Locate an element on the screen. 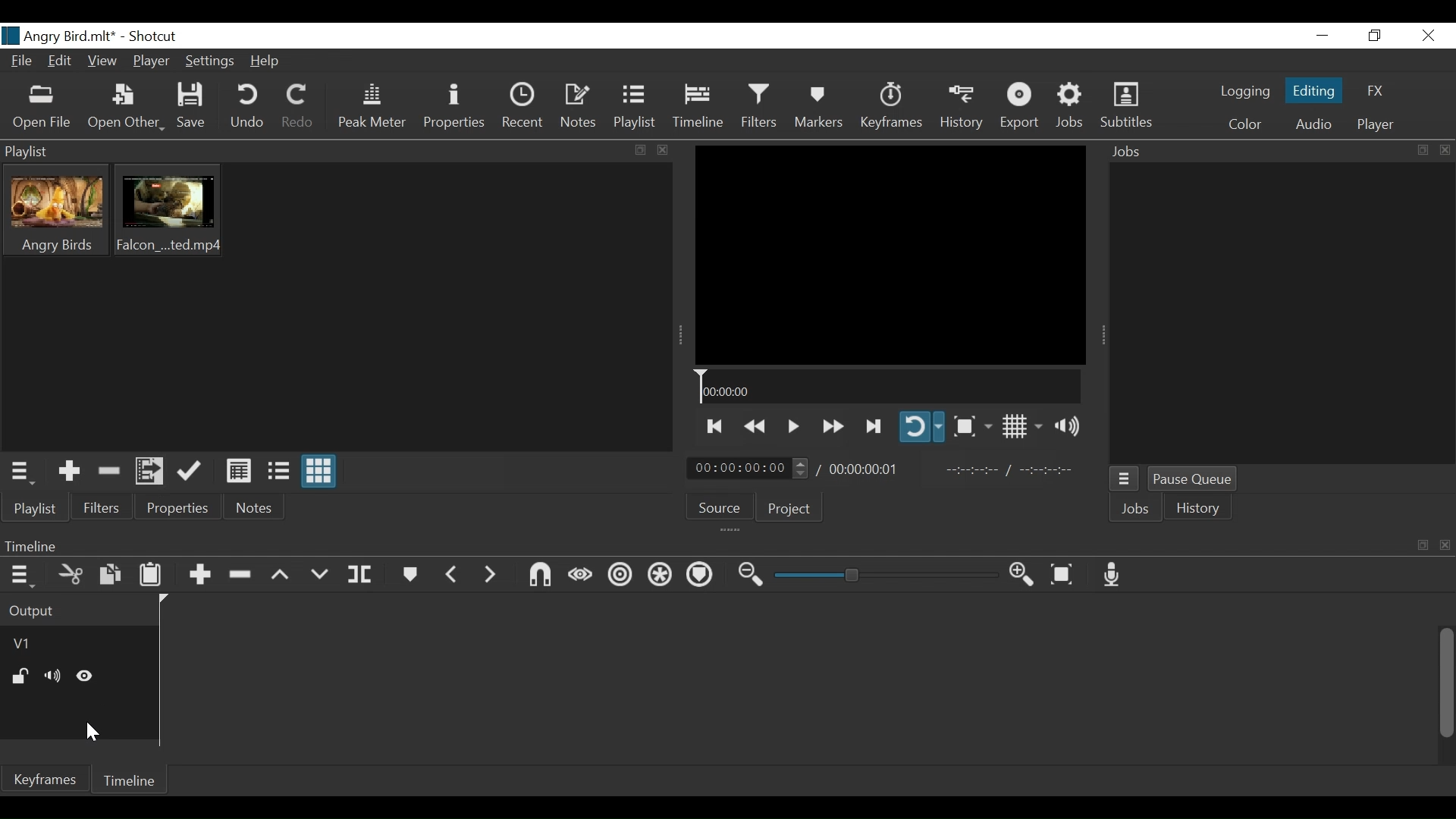 The image size is (1456, 819). Hide is located at coordinates (90, 733).